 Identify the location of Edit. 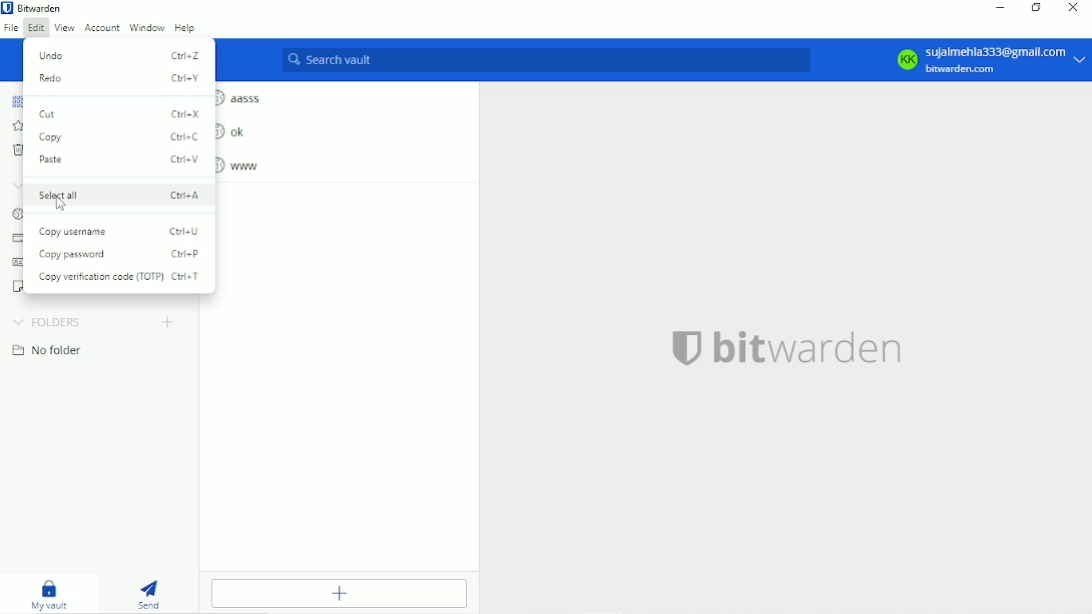
(34, 28).